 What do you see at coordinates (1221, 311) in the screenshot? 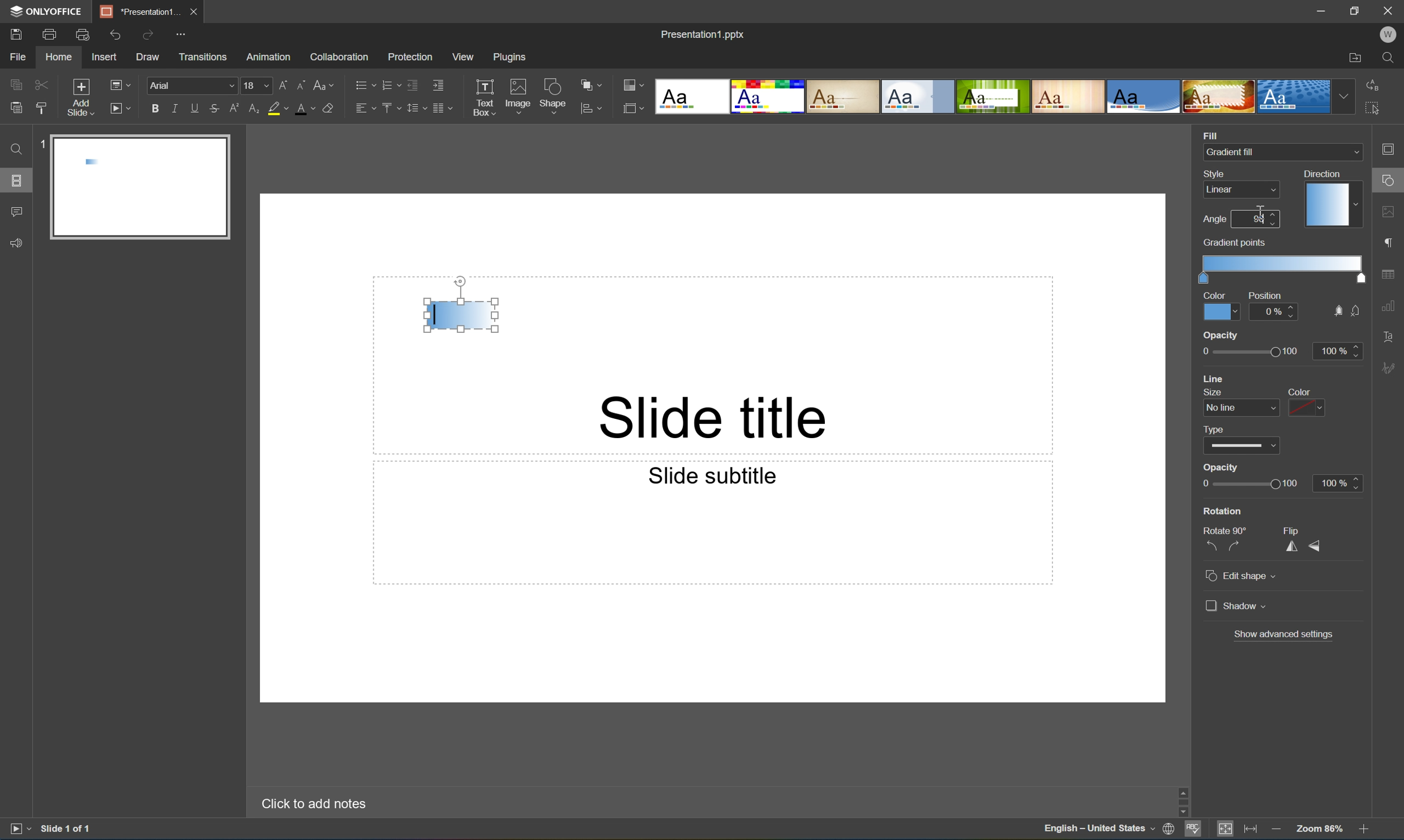
I see `Color` at bounding box center [1221, 311].